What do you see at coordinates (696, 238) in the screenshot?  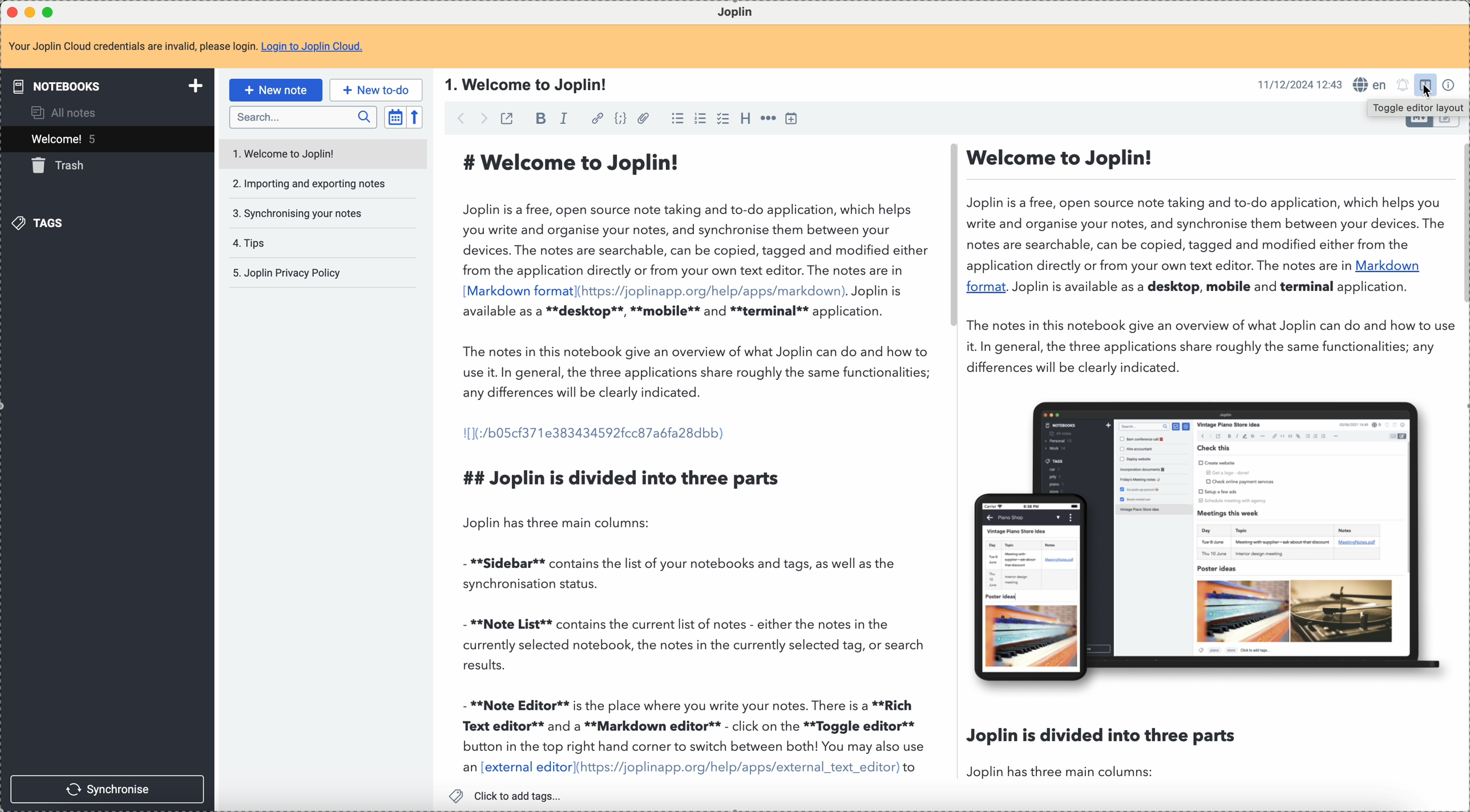 I see `Joplin is a free, open source note taking and to-do application, which helps
you write and organise your notes, and synchronise them between your
devices. The notes are searchable, can be copied, tagged and modified either
from the application directly or from your own text editor. The notes are in` at bounding box center [696, 238].